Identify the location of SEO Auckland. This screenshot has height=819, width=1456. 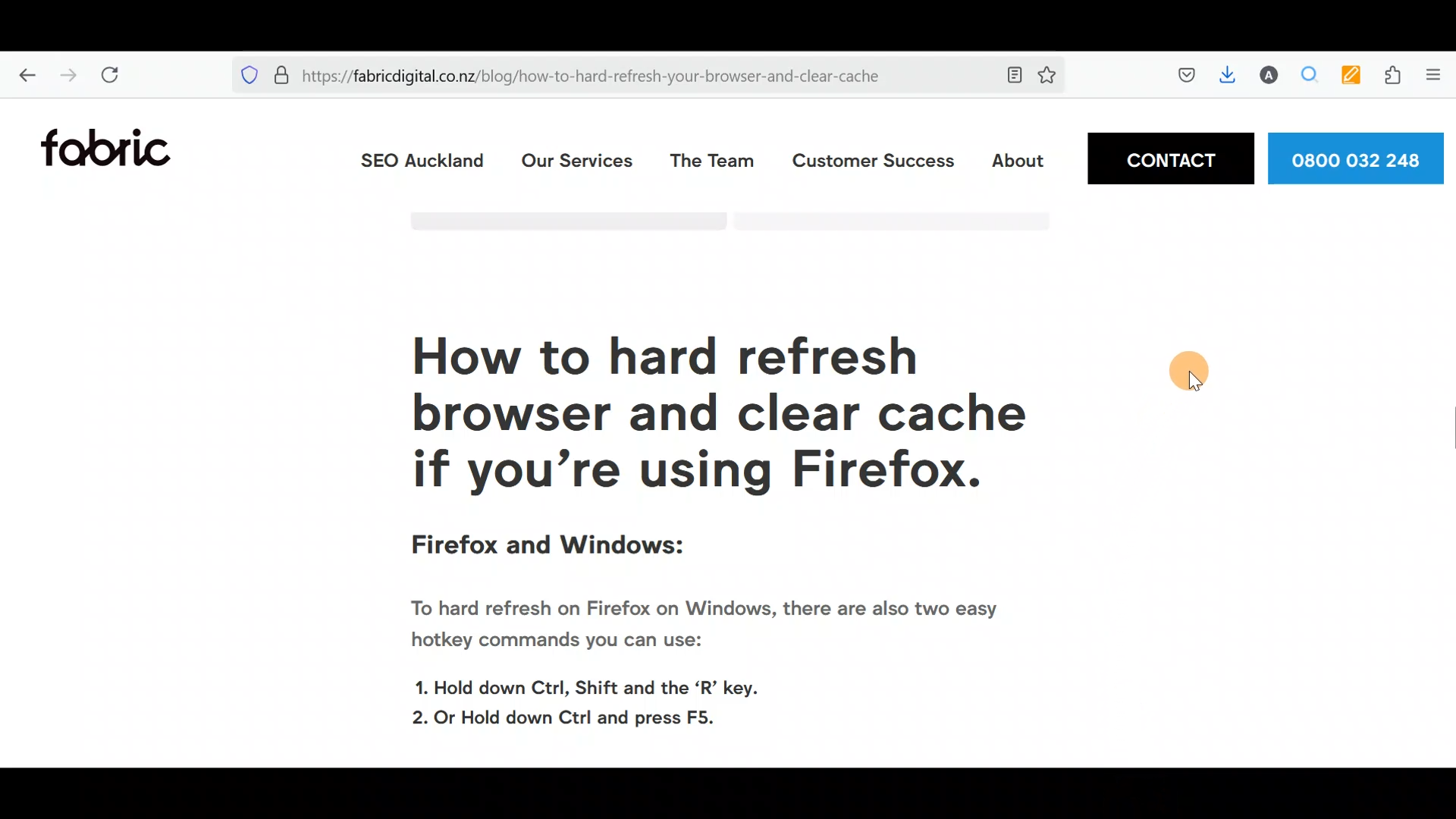
(421, 162).